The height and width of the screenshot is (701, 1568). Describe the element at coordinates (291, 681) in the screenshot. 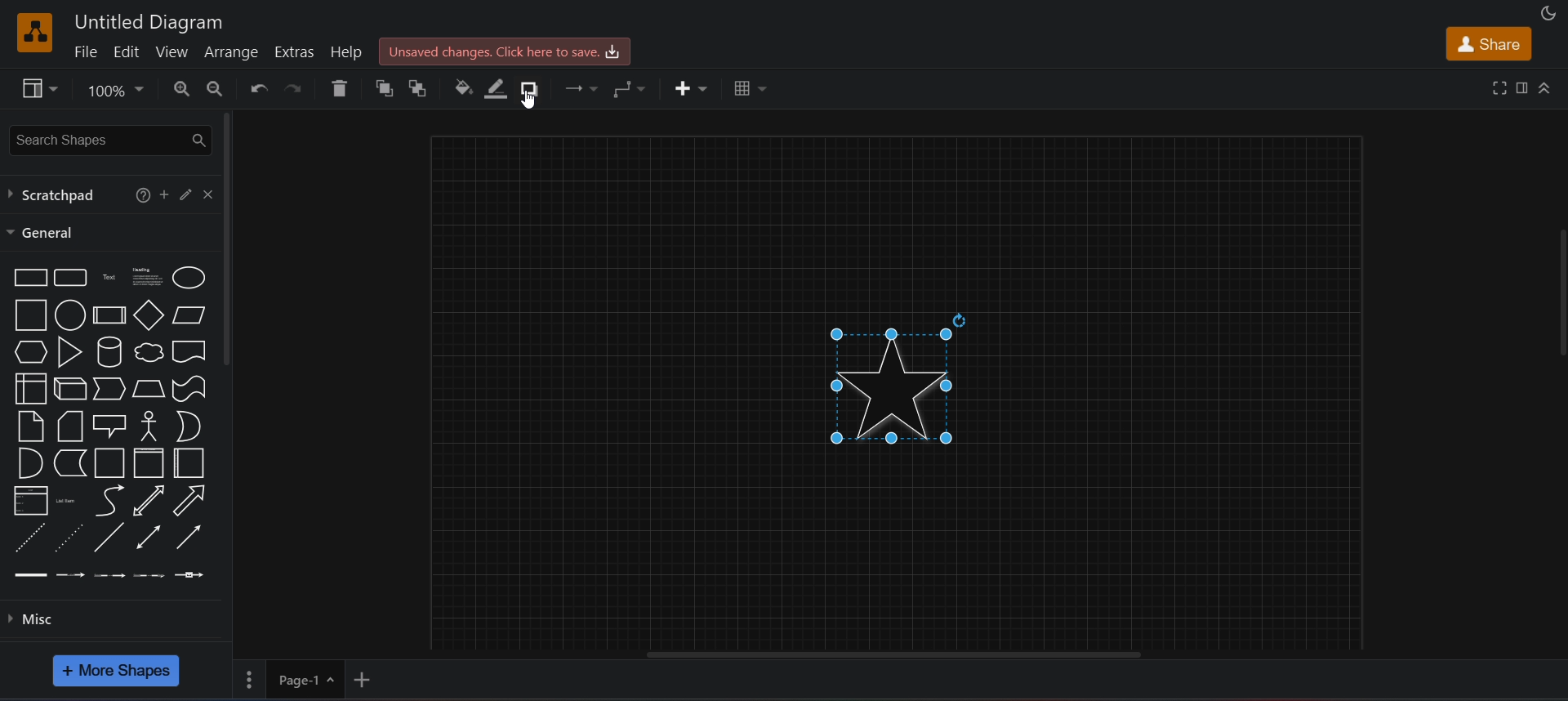

I see `page 1` at that location.